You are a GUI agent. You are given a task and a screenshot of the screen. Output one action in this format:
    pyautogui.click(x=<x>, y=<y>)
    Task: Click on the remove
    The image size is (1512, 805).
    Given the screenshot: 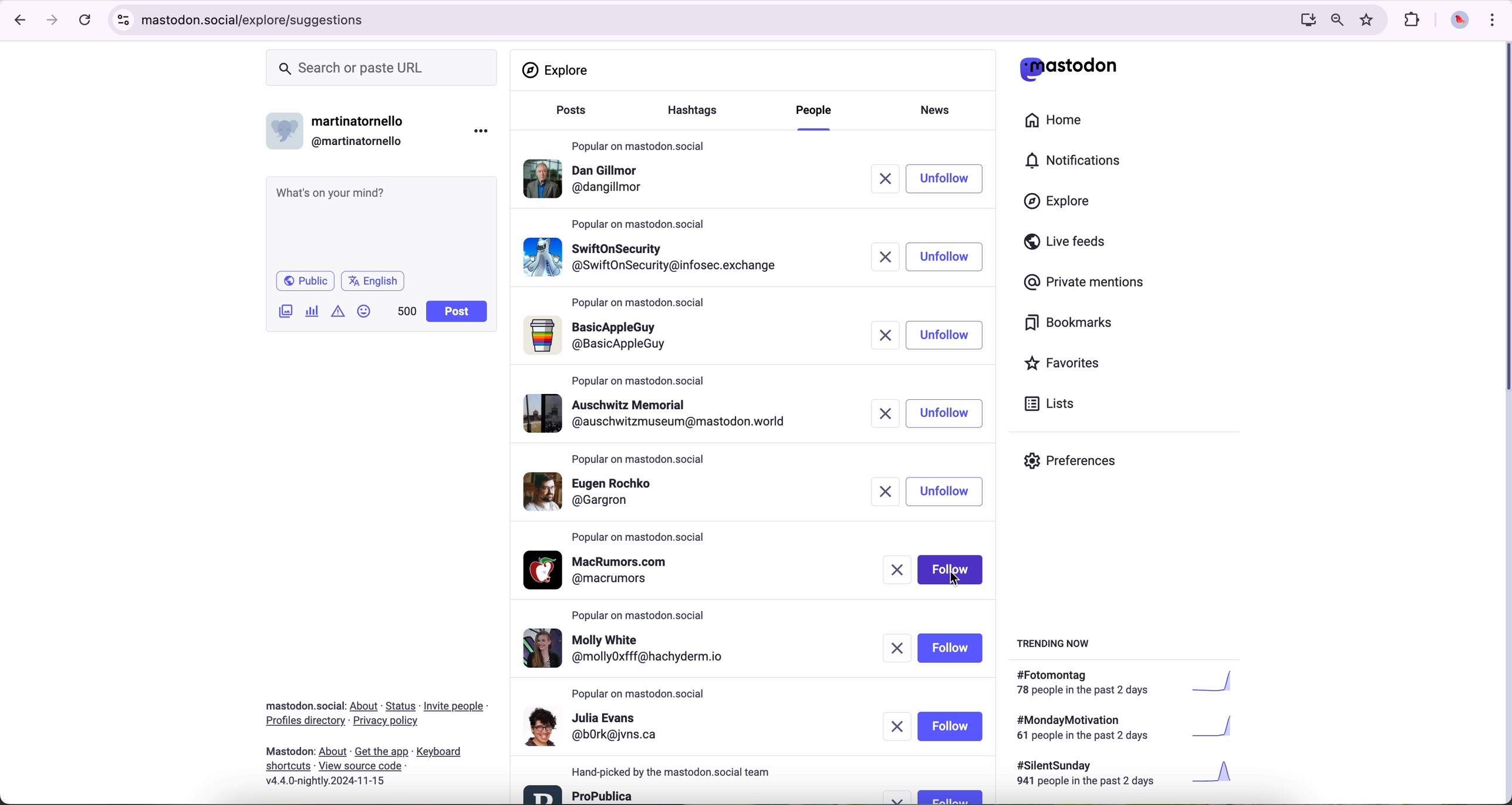 What is the action you would take?
    pyautogui.click(x=900, y=797)
    